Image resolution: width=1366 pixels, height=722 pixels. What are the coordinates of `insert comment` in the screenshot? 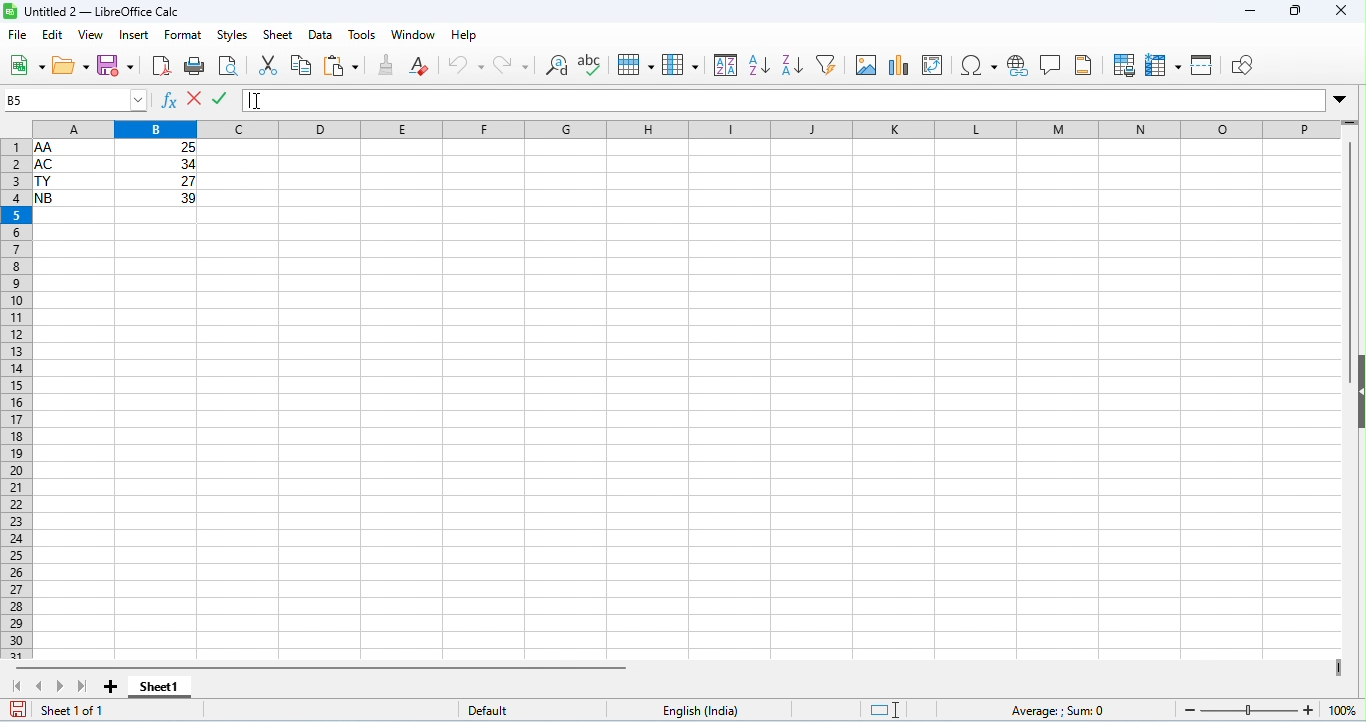 It's located at (1050, 65).